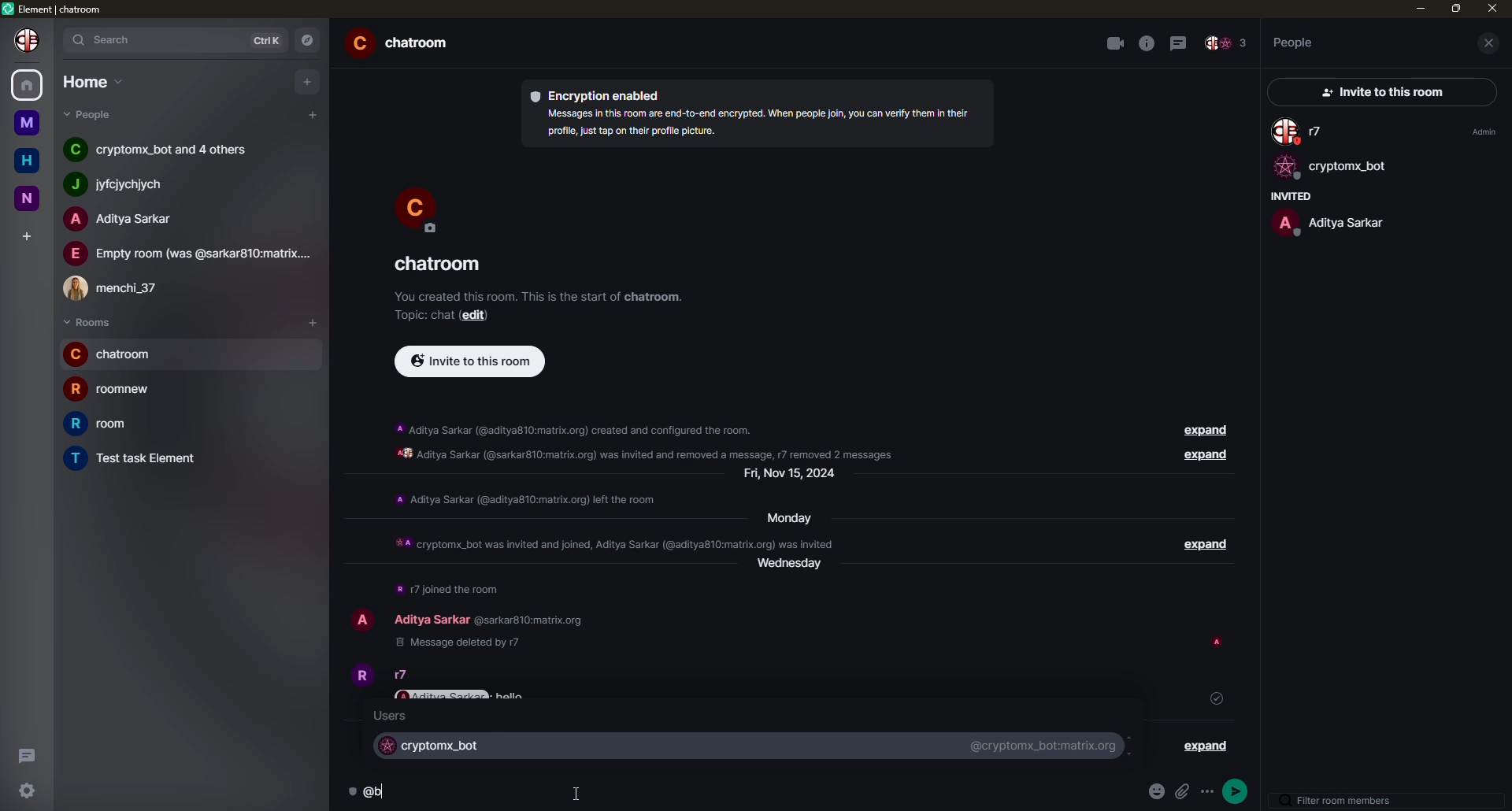 The image size is (1512, 811). I want to click on home, so click(29, 161).